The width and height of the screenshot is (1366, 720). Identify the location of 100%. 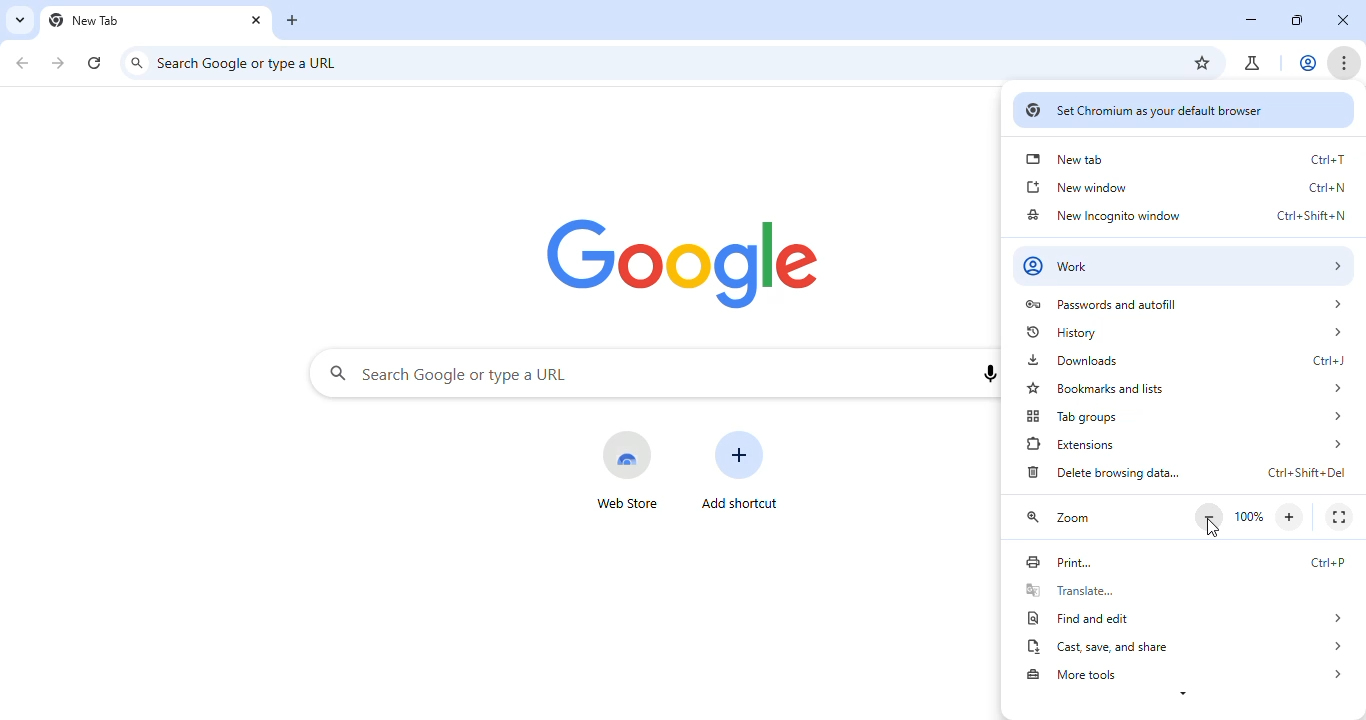
(1249, 517).